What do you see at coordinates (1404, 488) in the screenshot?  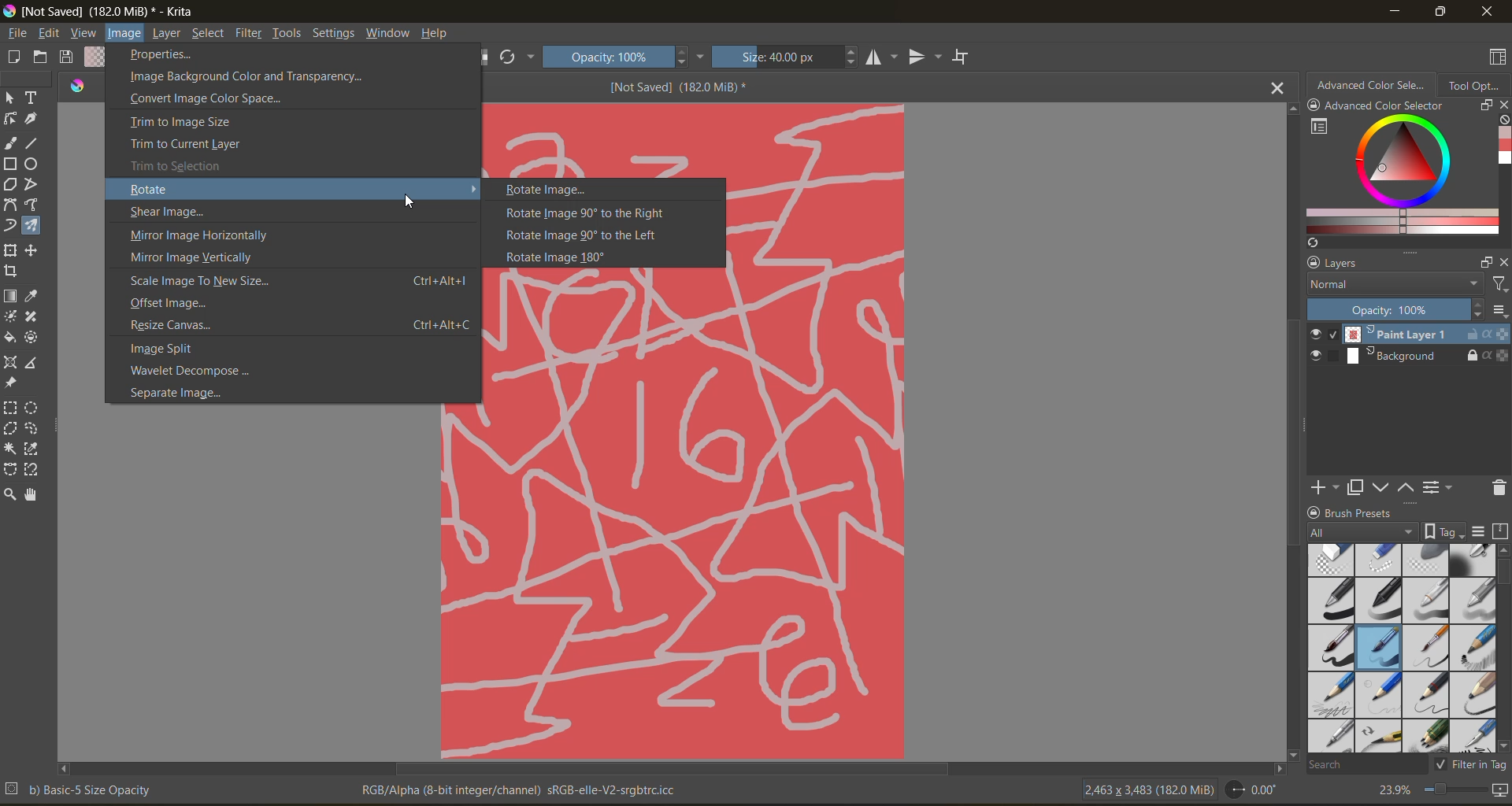 I see `mask up` at bounding box center [1404, 488].